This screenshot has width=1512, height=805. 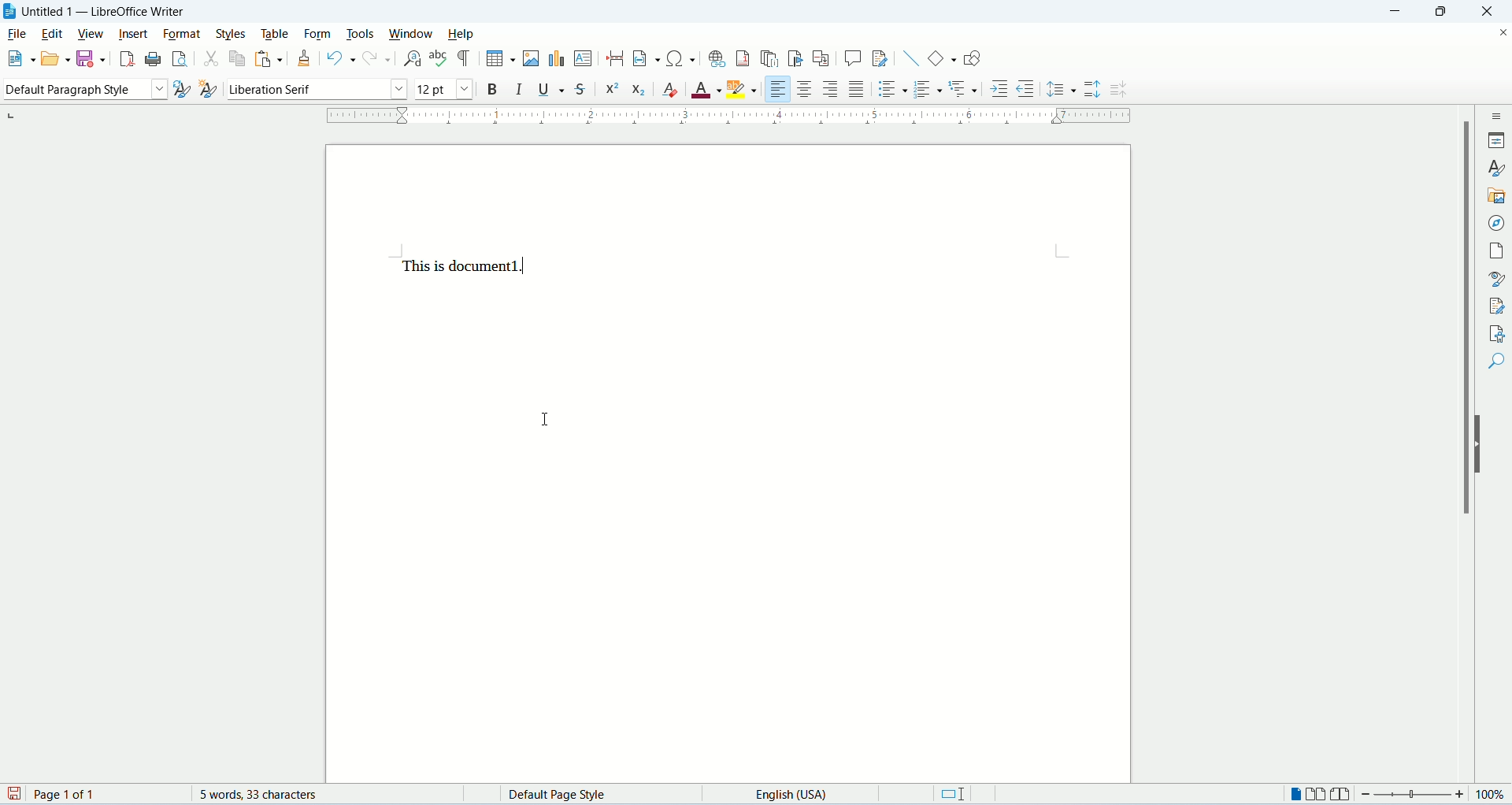 What do you see at coordinates (179, 89) in the screenshot?
I see `update selected style` at bounding box center [179, 89].